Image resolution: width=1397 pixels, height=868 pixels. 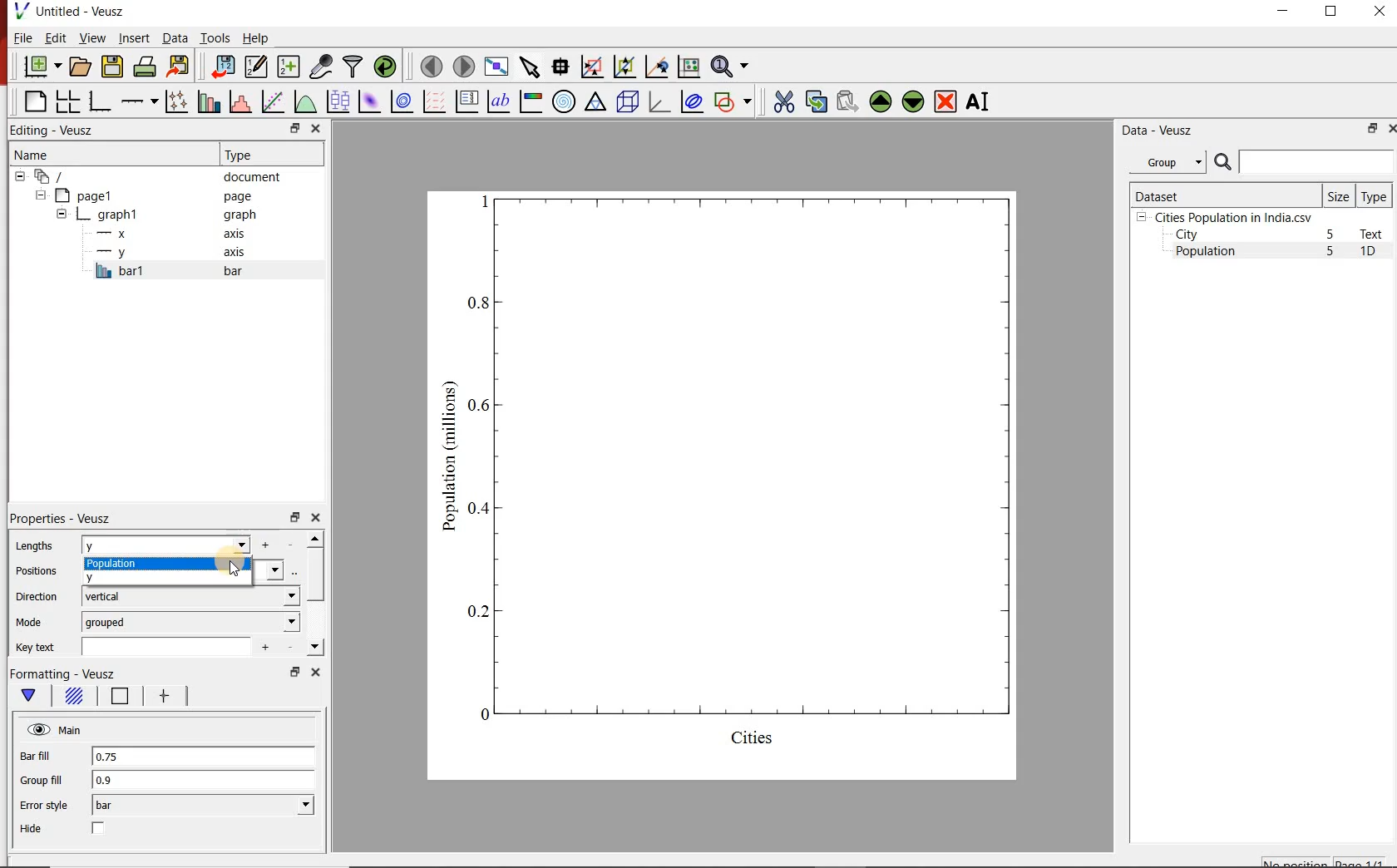 What do you see at coordinates (1187, 234) in the screenshot?
I see `City` at bounding box center [1187, 234].